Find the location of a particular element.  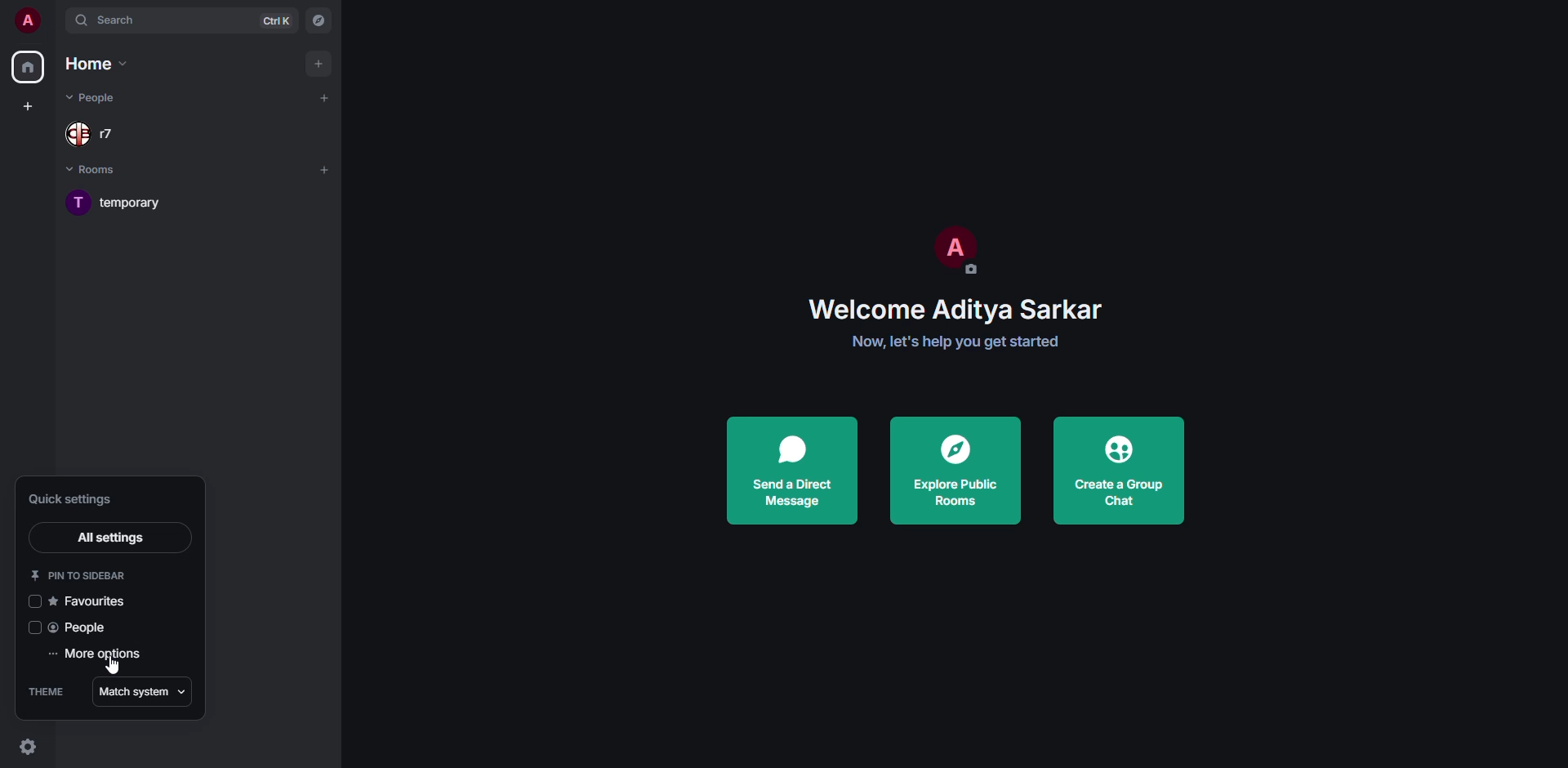

home is located at coordinates (29, 67).